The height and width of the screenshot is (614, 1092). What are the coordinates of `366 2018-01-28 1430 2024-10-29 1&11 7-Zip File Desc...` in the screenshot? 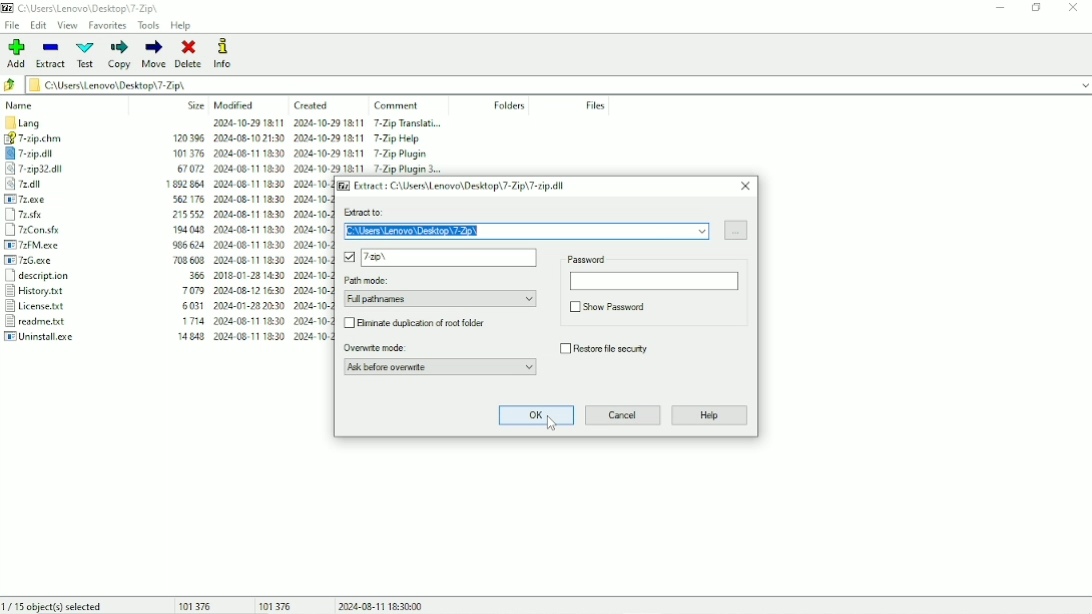 It's located at (250, 276).